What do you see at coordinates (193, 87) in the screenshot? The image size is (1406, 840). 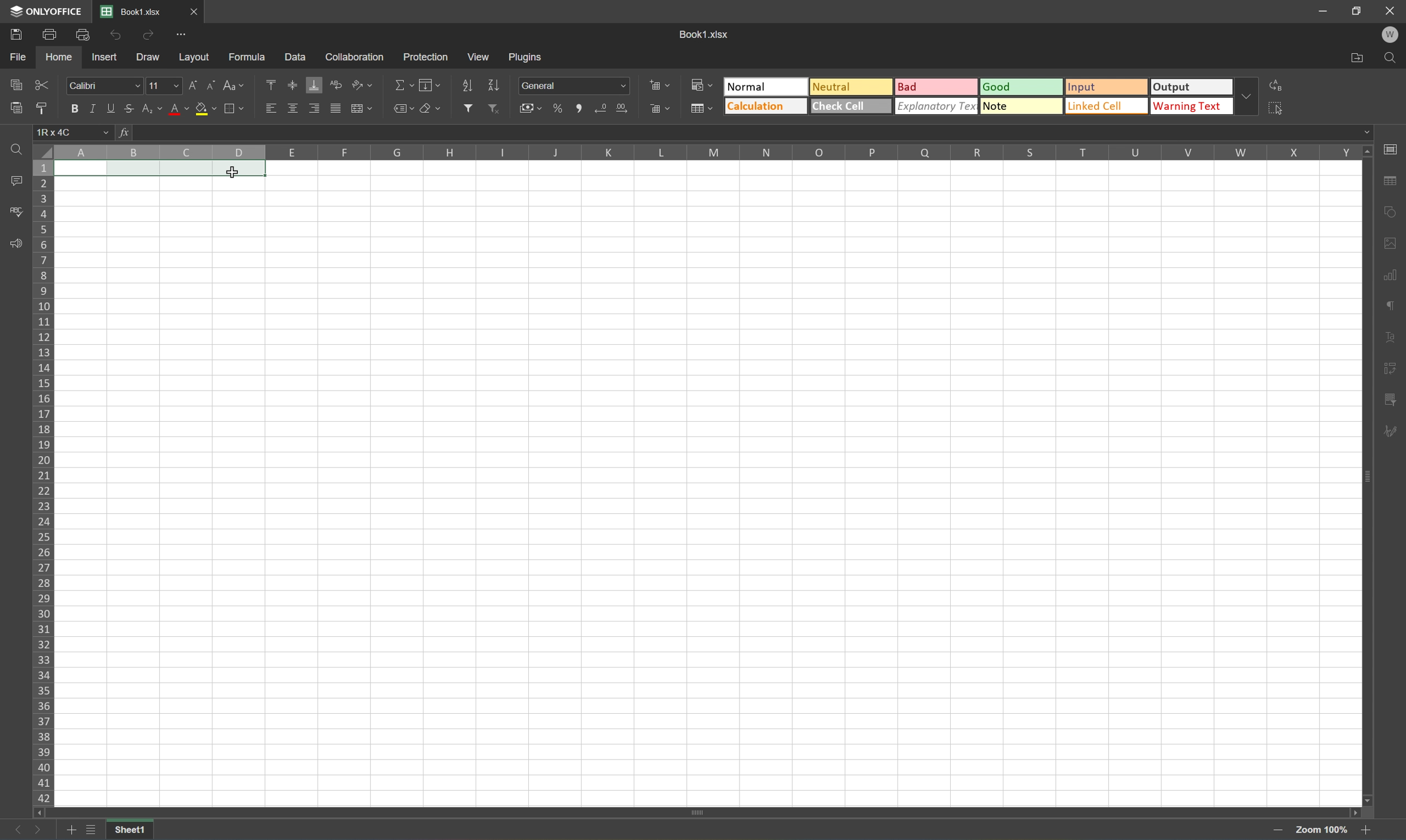 I see `Increment font size` at bounding box center [193, 87].